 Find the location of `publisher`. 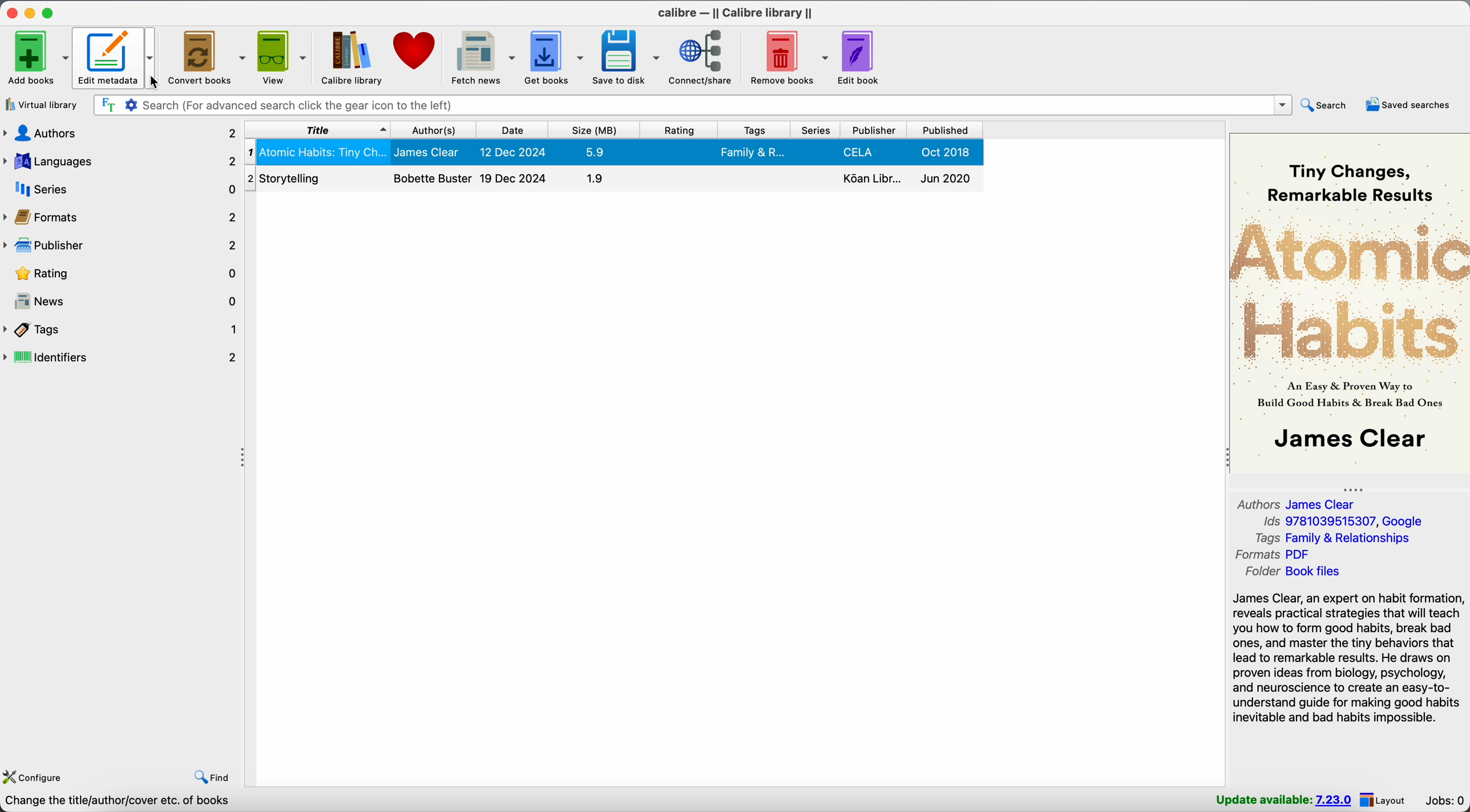

publisher is located at coordinates (122, 245).